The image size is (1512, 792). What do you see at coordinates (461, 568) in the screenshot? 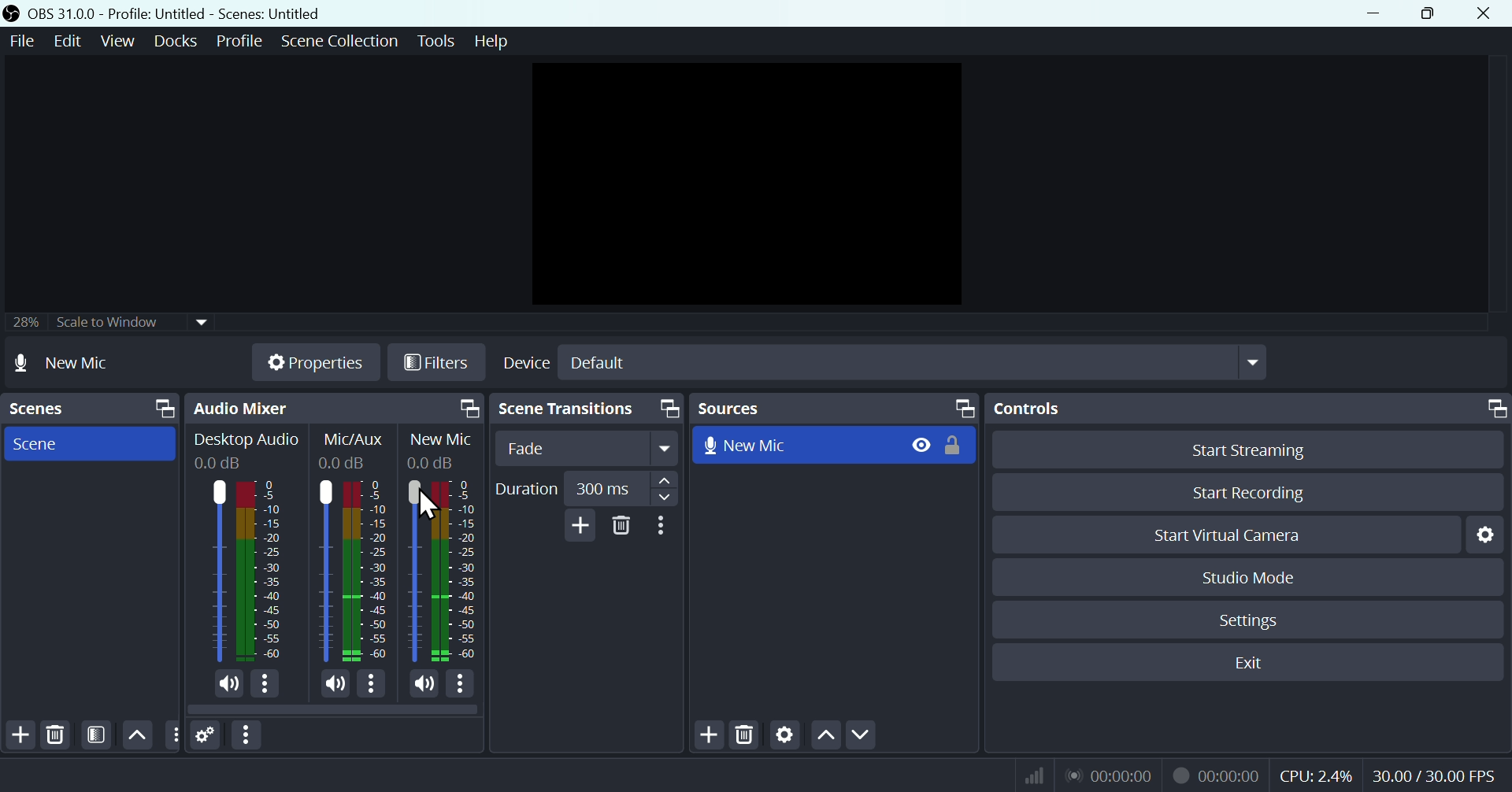
I see `Mic` at bounding box center [461, 568].